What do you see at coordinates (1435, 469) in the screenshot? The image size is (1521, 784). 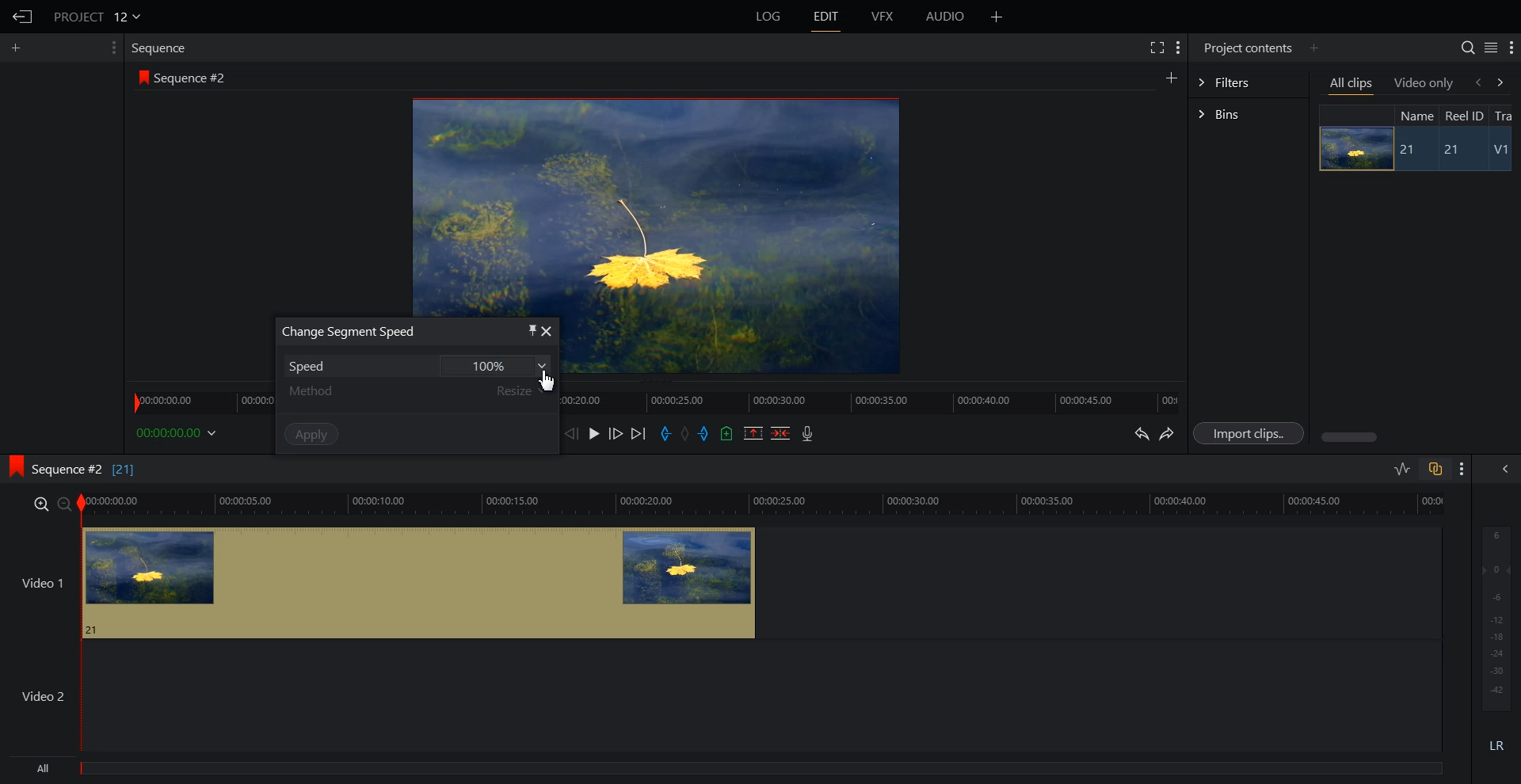 I see `Toggle auto Track sync` at bounding box center [1435, 469].